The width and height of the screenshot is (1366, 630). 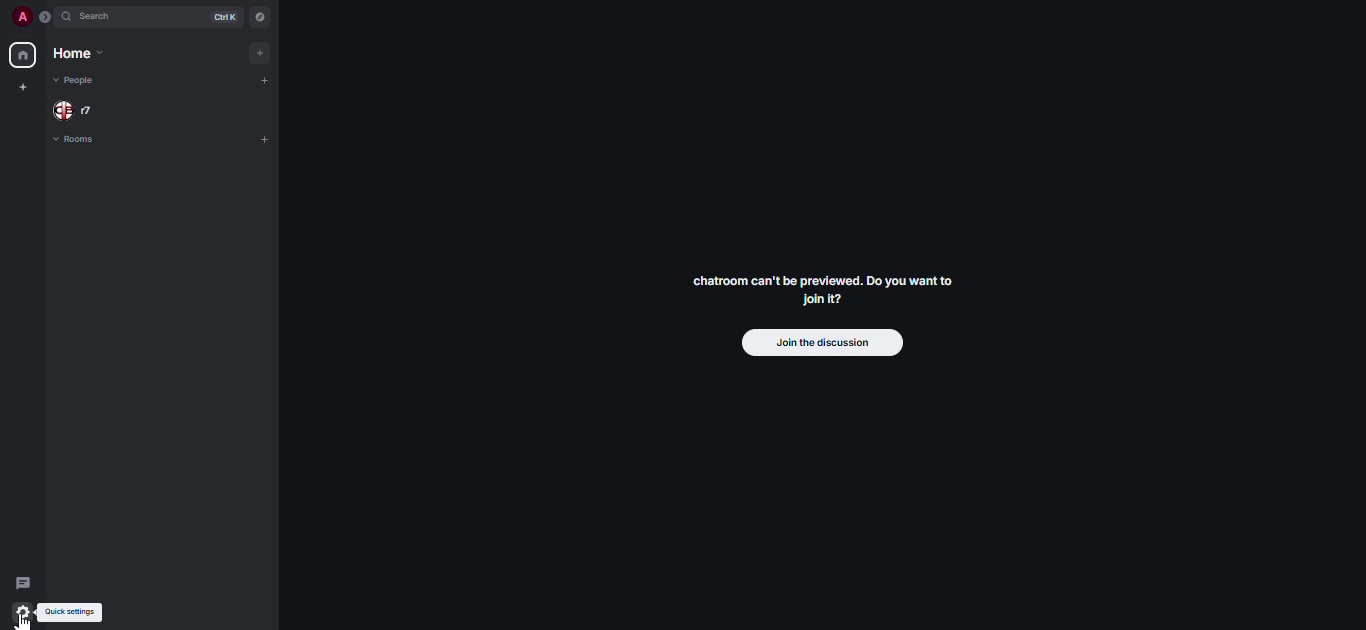 What do you see at coordinates (820, 343) in the screenshot?
I see `join the discussion` at bounding box center [820, 343].